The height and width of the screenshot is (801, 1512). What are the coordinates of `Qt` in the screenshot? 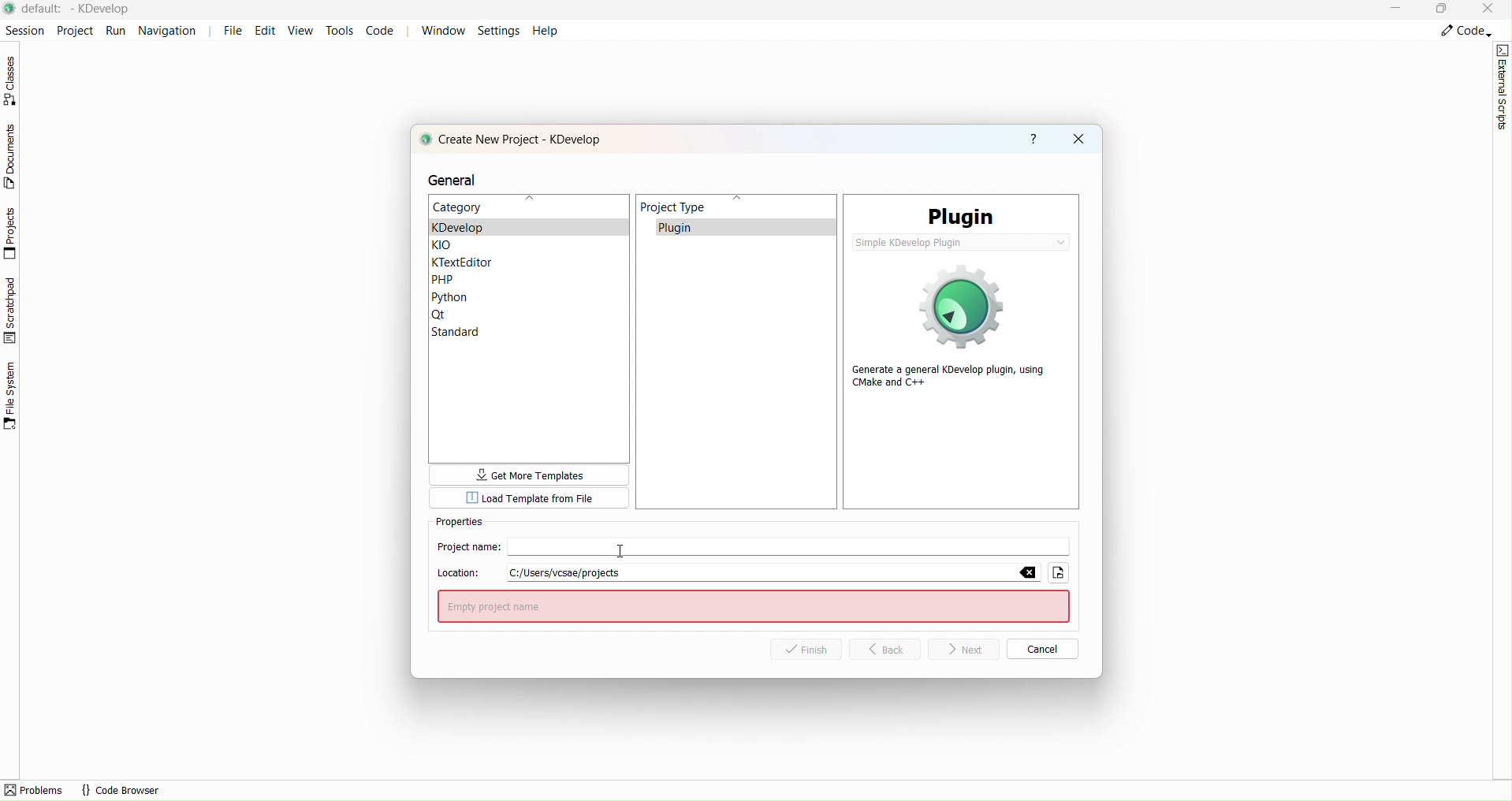 It's located at (479, 314).